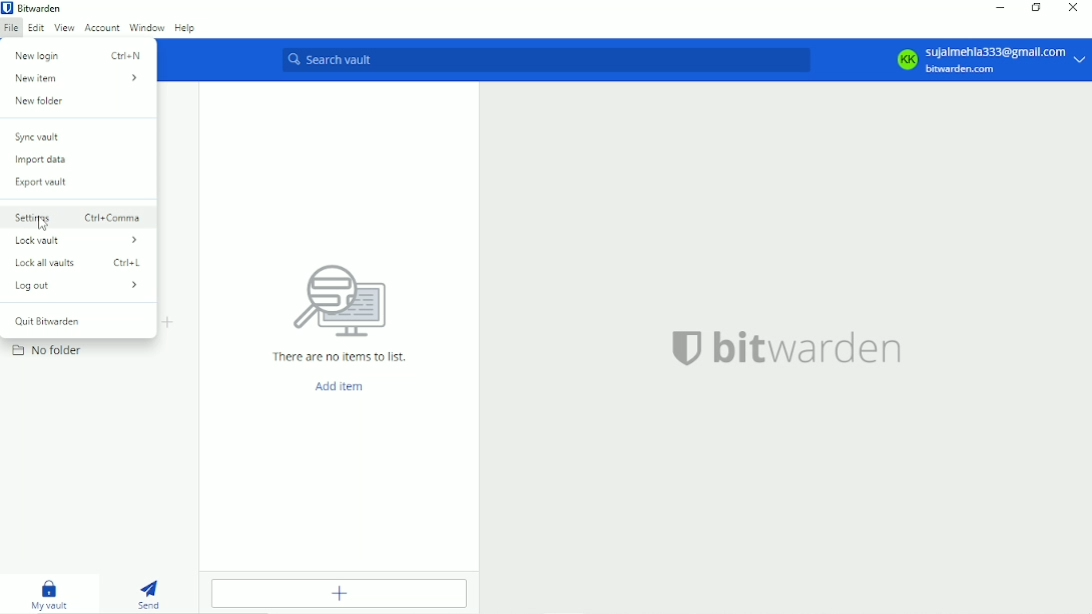  Describe the element at coordinates (13, 28) in the screenshot. I see `File` at that location.